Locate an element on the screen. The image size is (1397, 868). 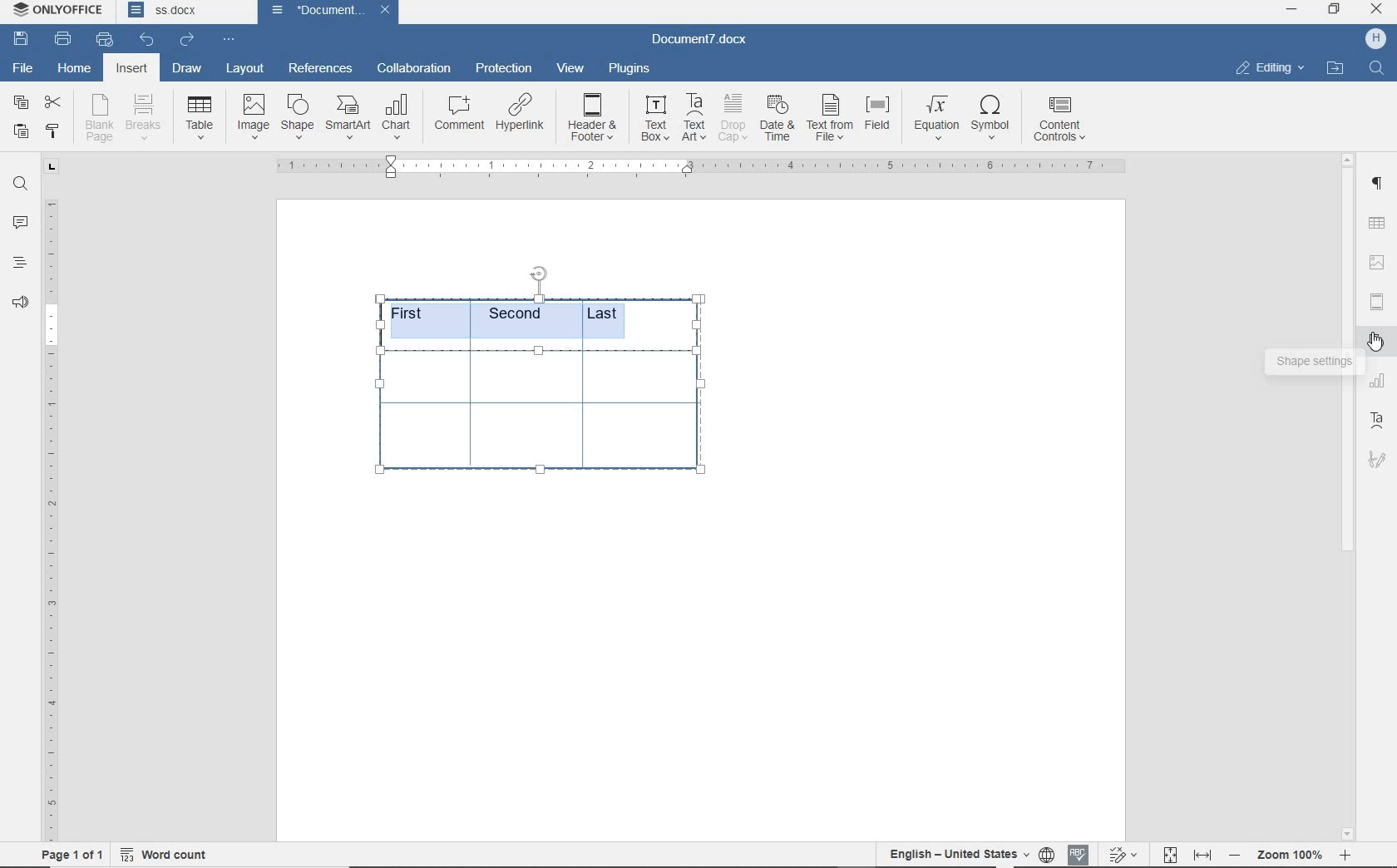
comments is located at coordinates (22, 223).